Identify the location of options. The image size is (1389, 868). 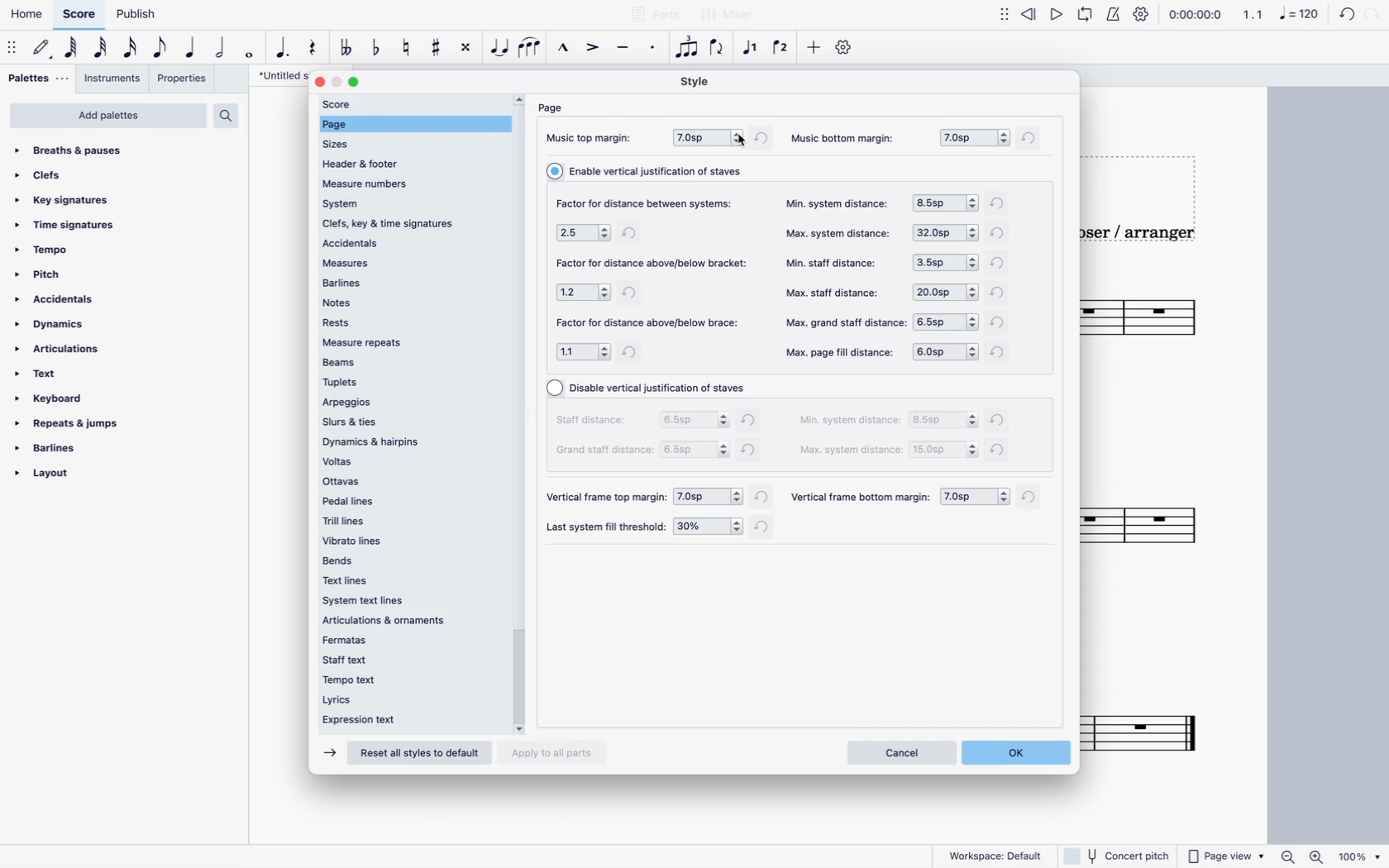
(946, 262).